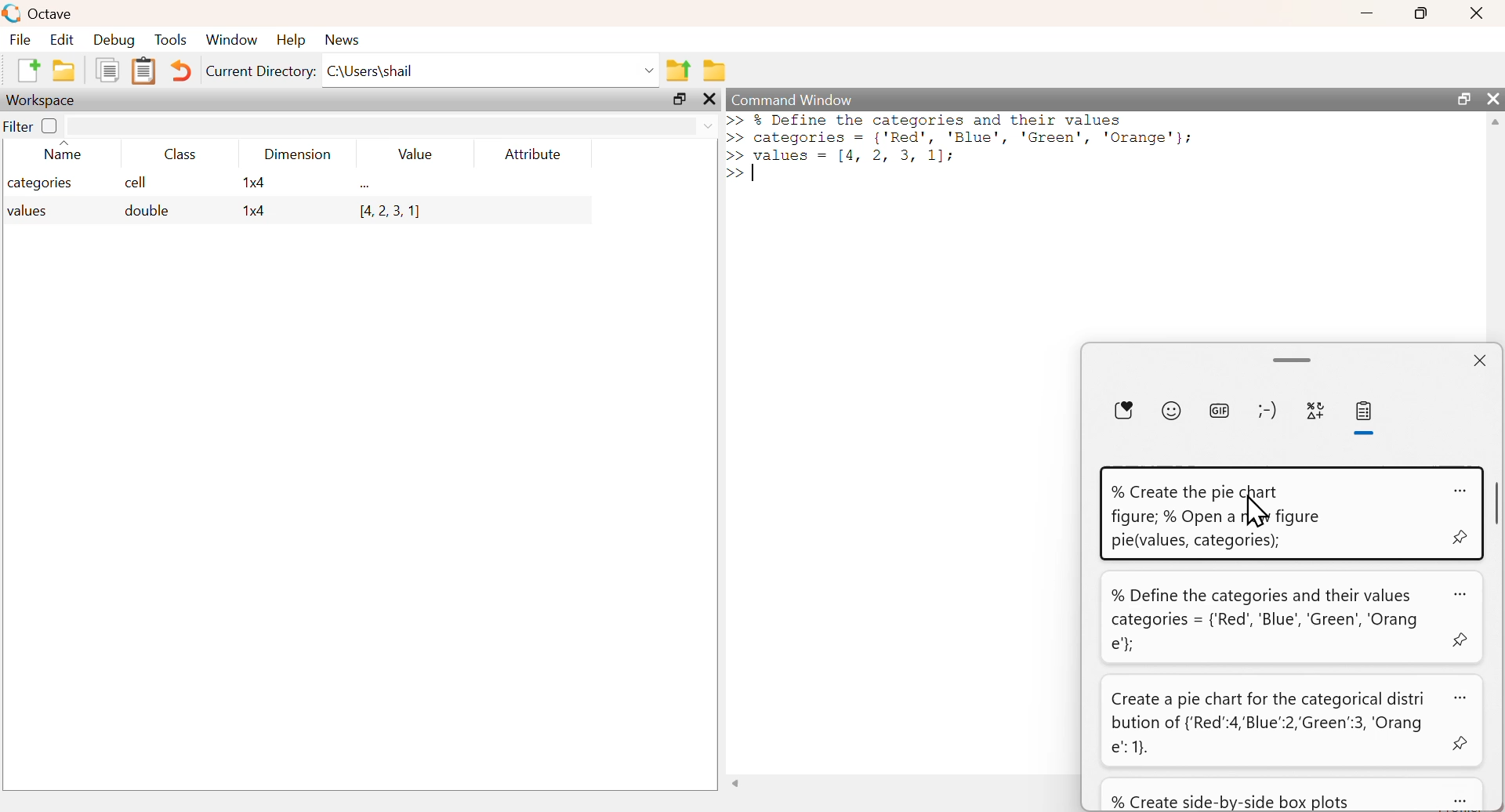  Describe the element at coordinates (256, 210) in the screenshot. I see `1x4` at that location.